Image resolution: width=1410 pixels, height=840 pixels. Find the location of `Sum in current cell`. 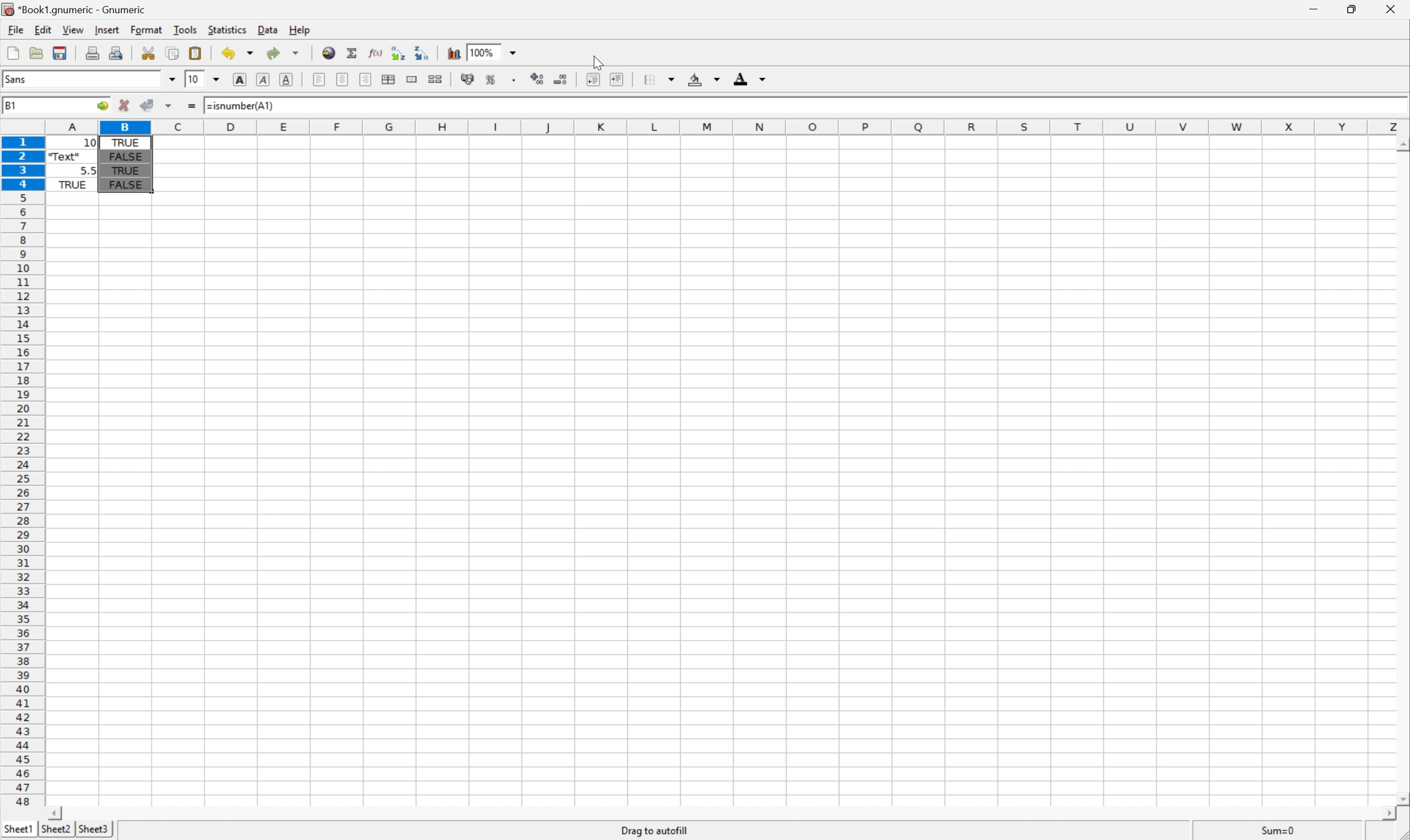

Sum in current cell is located at coordinates (353, 53).